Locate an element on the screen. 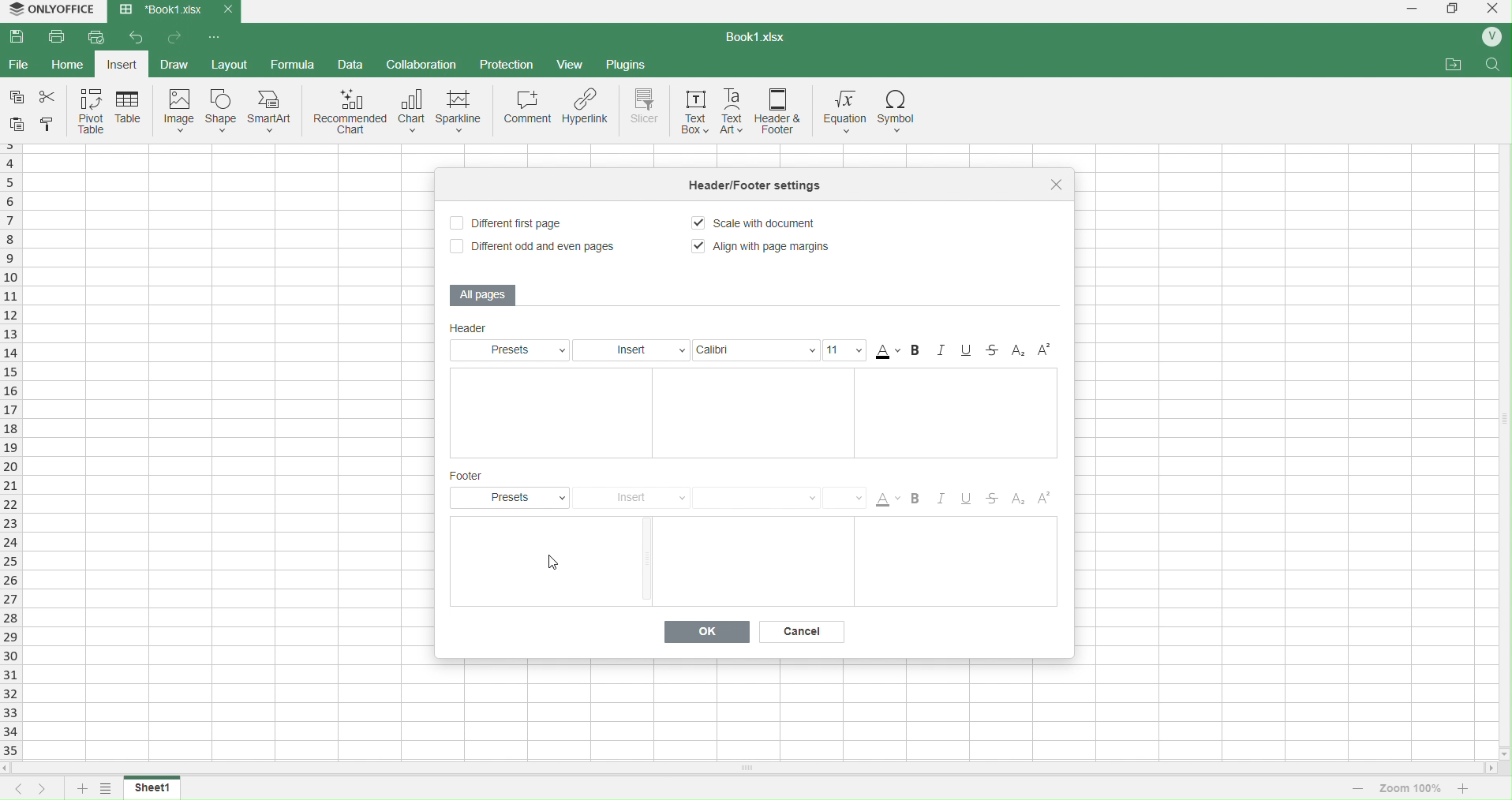  data is located at coordinates (353, 65).